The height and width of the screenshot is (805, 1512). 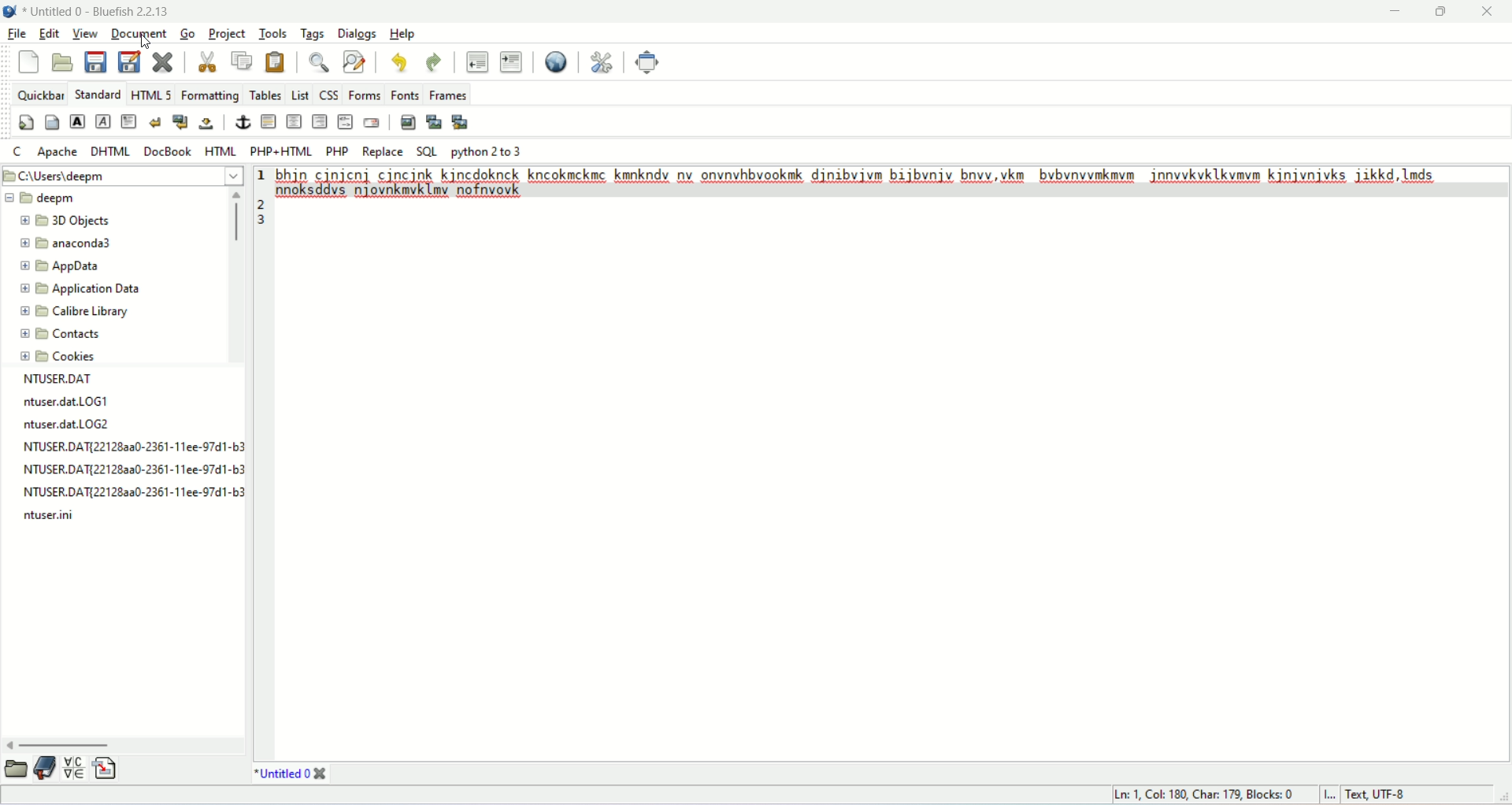 What do you see at coordinates (1445, 11) in the screenshot?
I see `maximize` at bounding box center [1445, 11].